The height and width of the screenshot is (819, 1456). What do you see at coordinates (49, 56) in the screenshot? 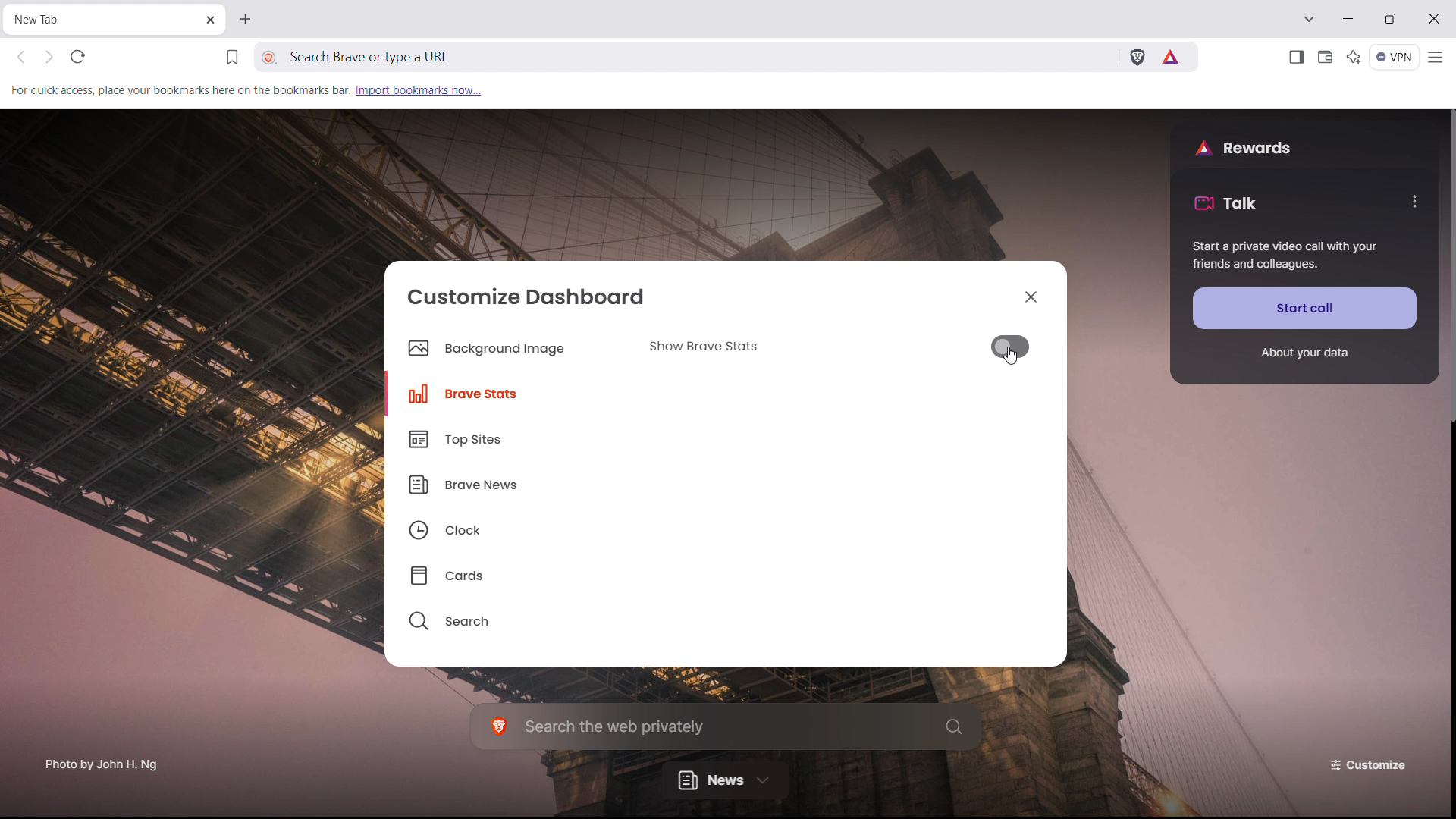
I see `click to go forward hold to see history ` at bounding box center [49, 56].